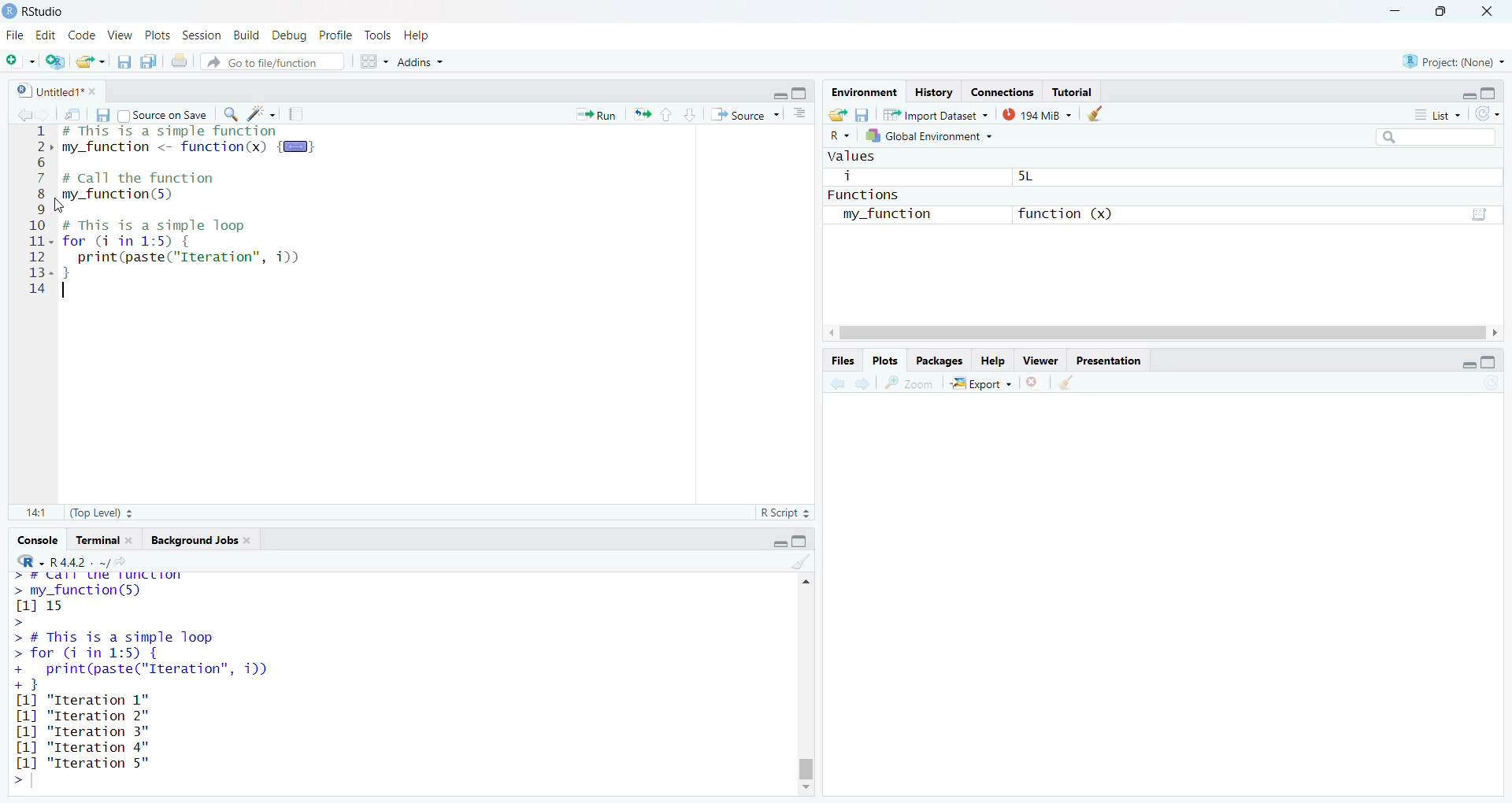 The image size is (1512, 803). I want to click on RStudio, so click(51, 9).